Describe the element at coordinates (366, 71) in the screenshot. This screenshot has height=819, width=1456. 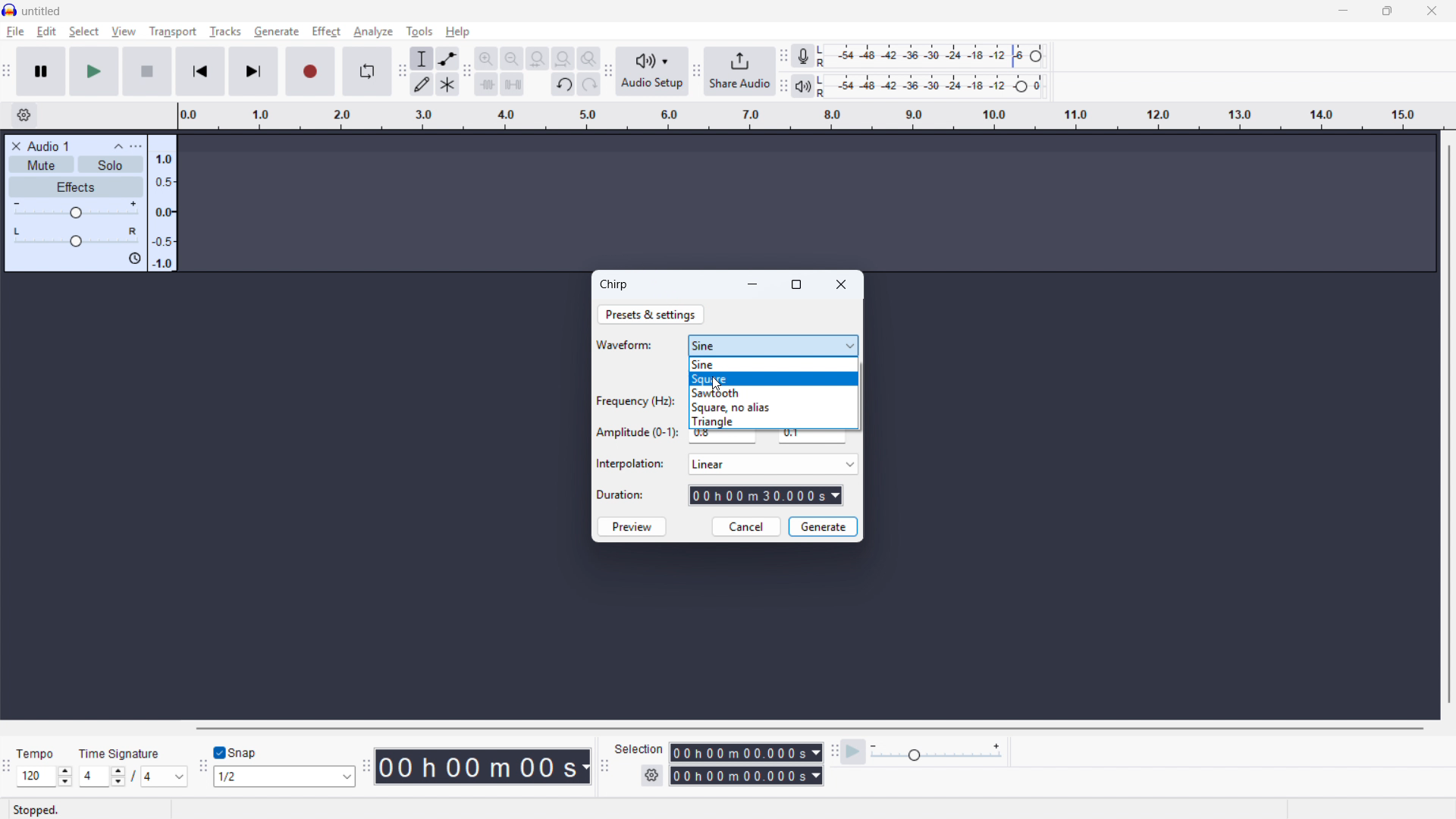
I see `Enable looping ` at that location.